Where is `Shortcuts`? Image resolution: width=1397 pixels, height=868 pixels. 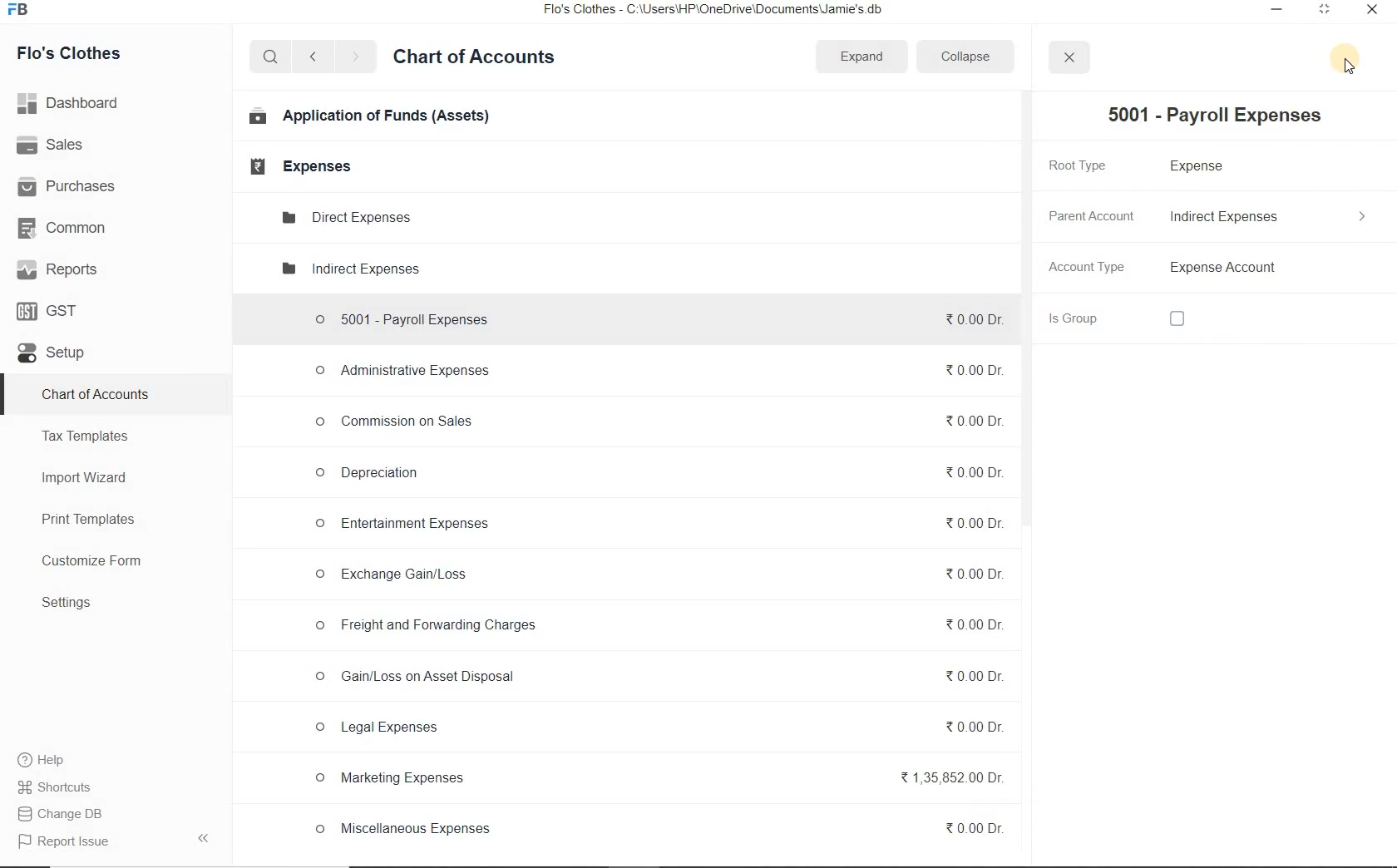 Shortcuts is located at coordinates (69, 787).